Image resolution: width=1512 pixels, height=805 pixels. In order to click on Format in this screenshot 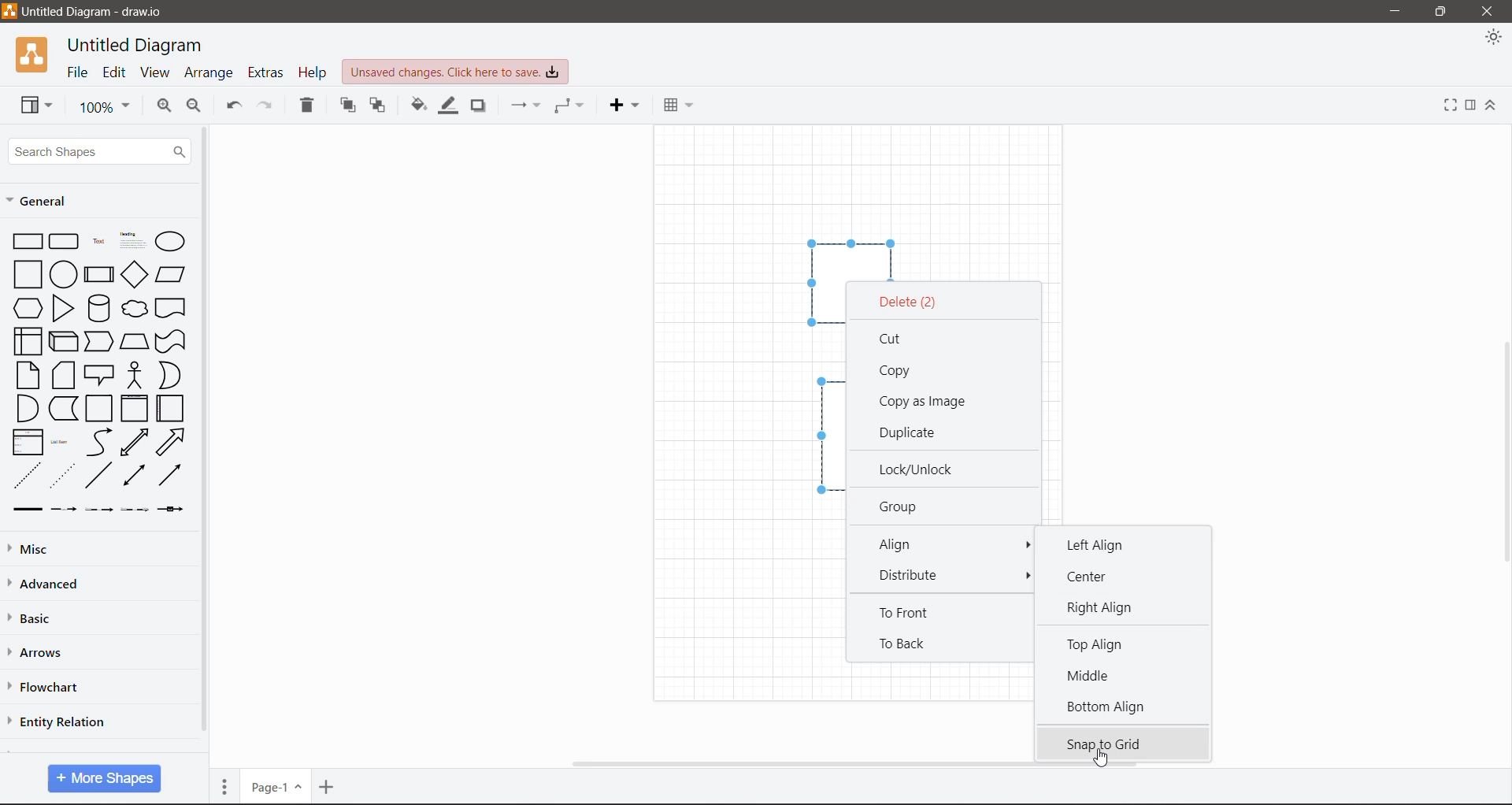, I will do `click(1471, 106)`.